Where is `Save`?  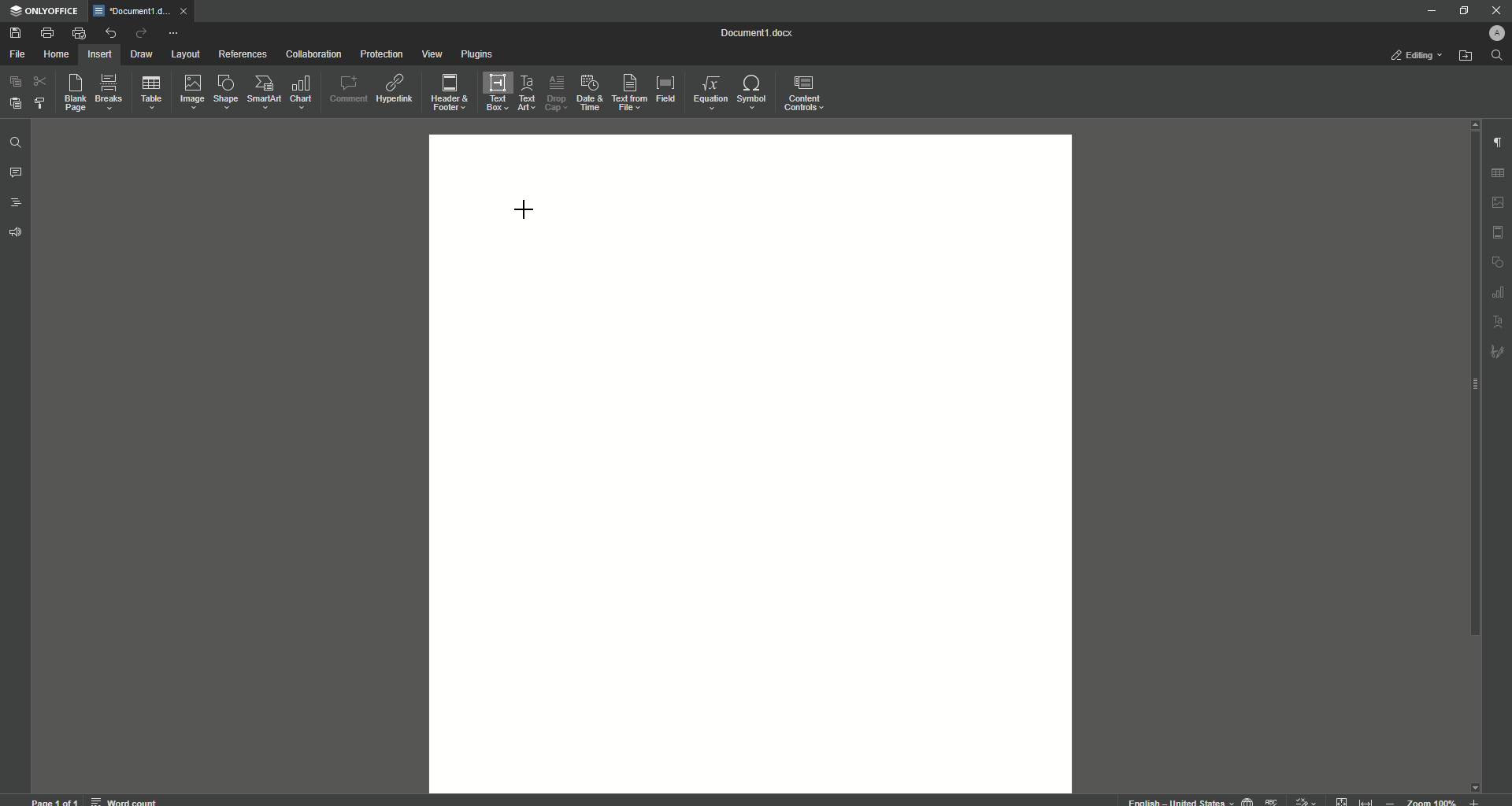 Save is located at coordinates (17, 34).